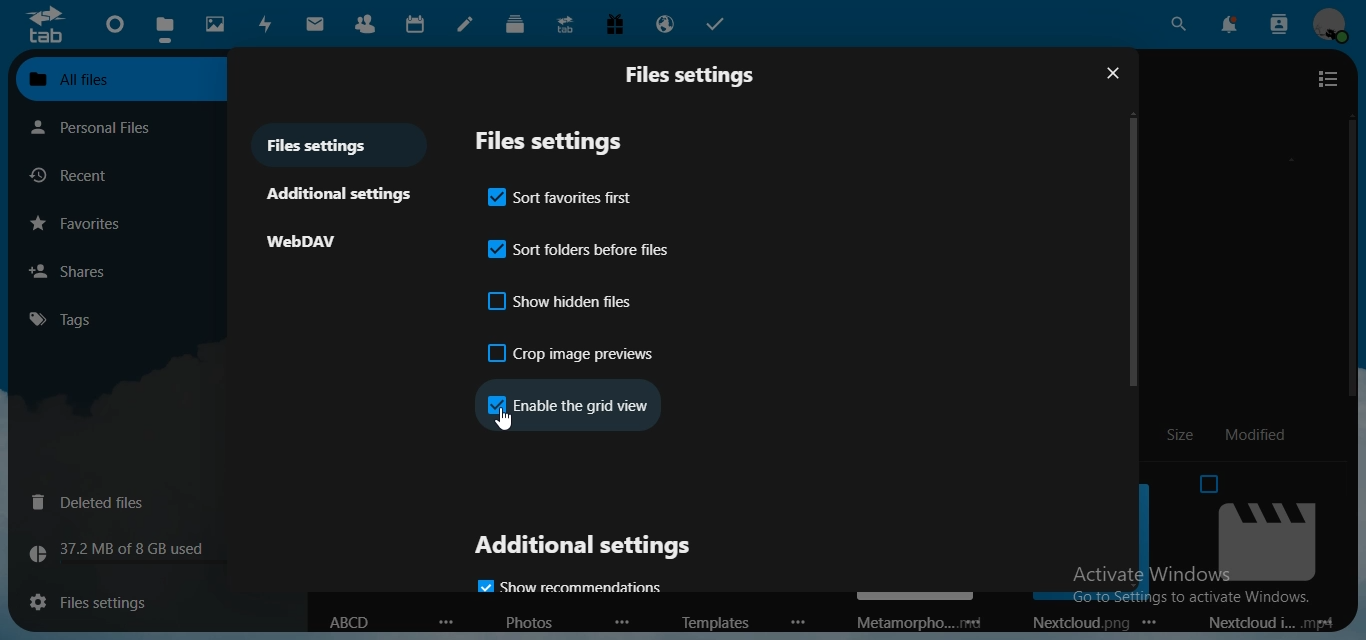  I want to click on close, so click(1113, 75).